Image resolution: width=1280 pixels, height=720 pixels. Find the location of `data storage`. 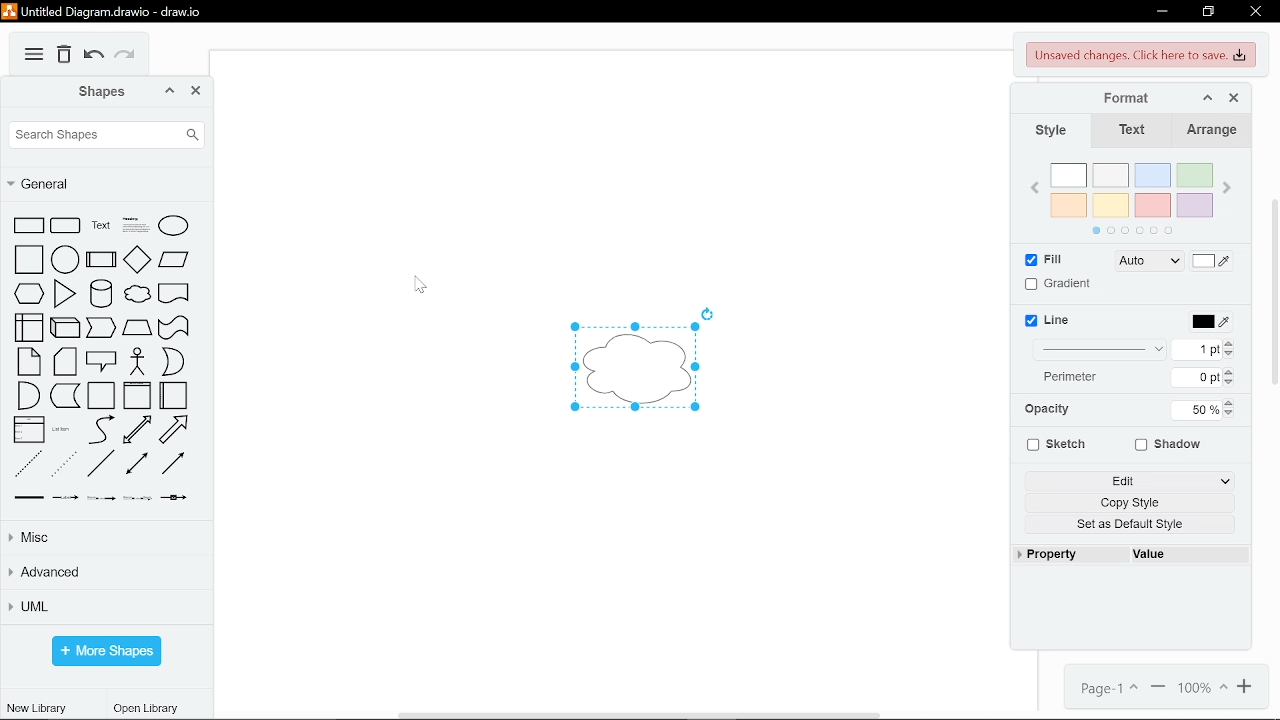

data storage is located at coordinates (66, 396).